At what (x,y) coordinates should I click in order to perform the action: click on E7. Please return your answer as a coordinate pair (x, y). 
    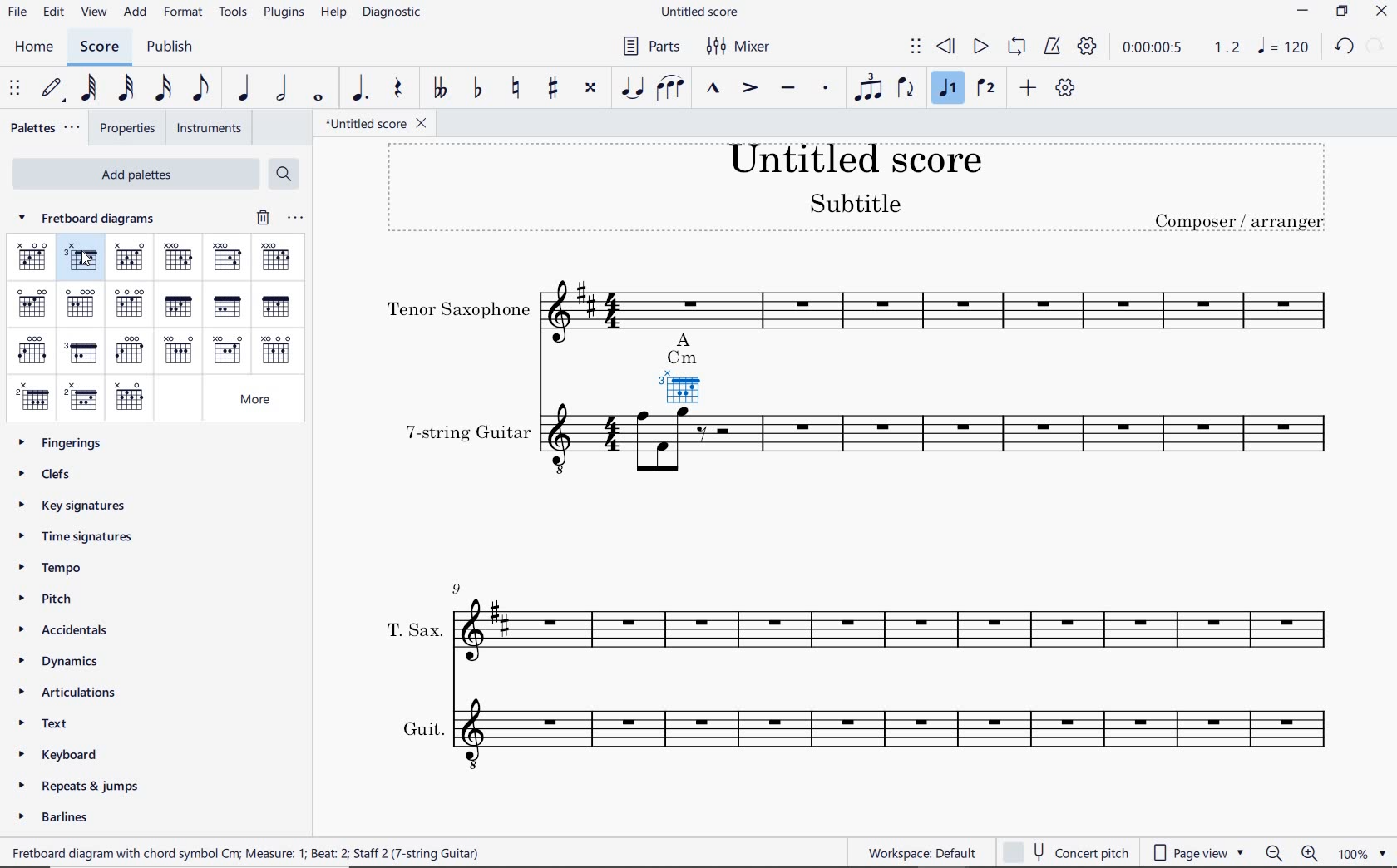
    Looking at the image, I should click on (131, 303).